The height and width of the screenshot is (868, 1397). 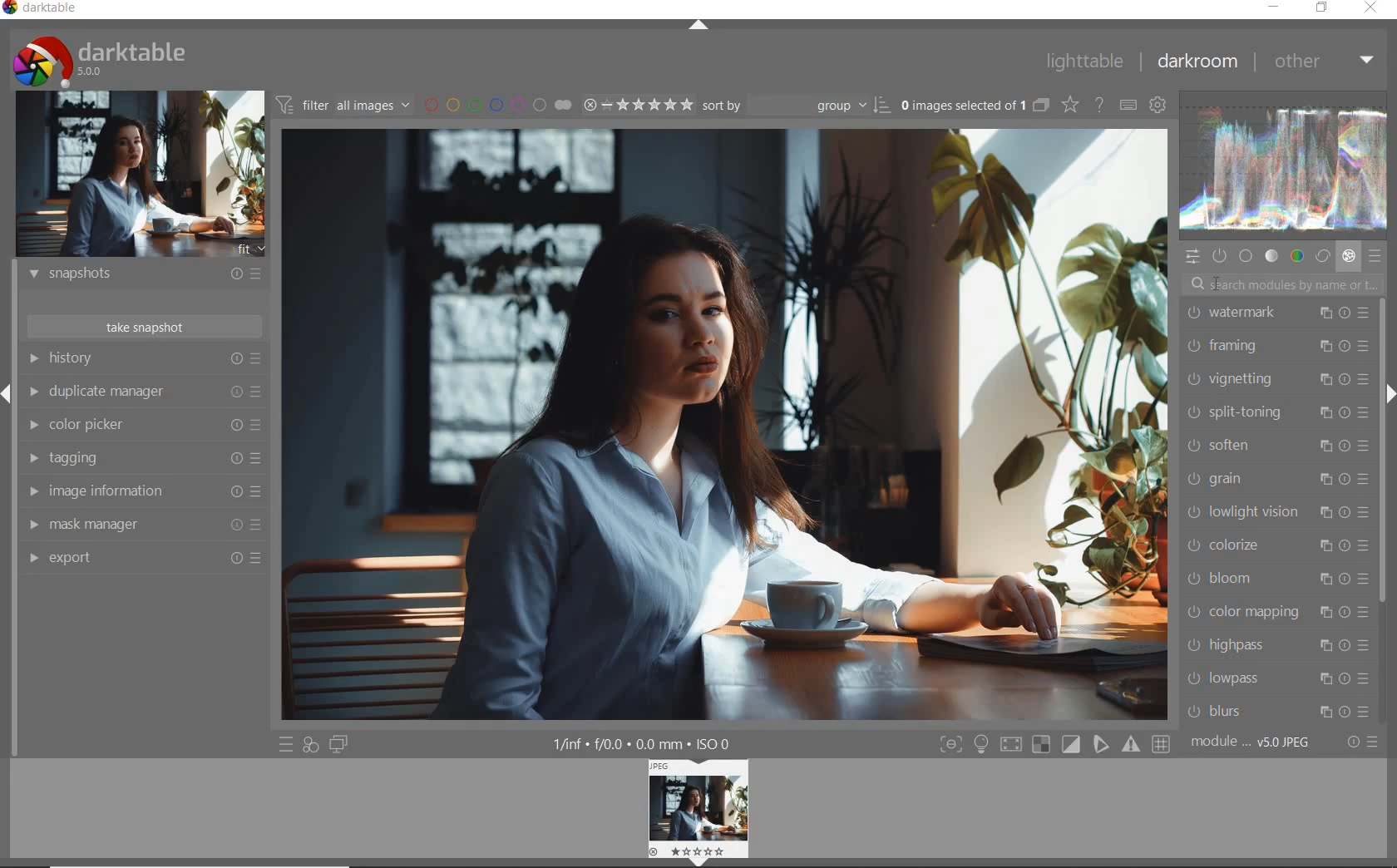 I want to click on show global preferences, so click(x=1158, y=104).